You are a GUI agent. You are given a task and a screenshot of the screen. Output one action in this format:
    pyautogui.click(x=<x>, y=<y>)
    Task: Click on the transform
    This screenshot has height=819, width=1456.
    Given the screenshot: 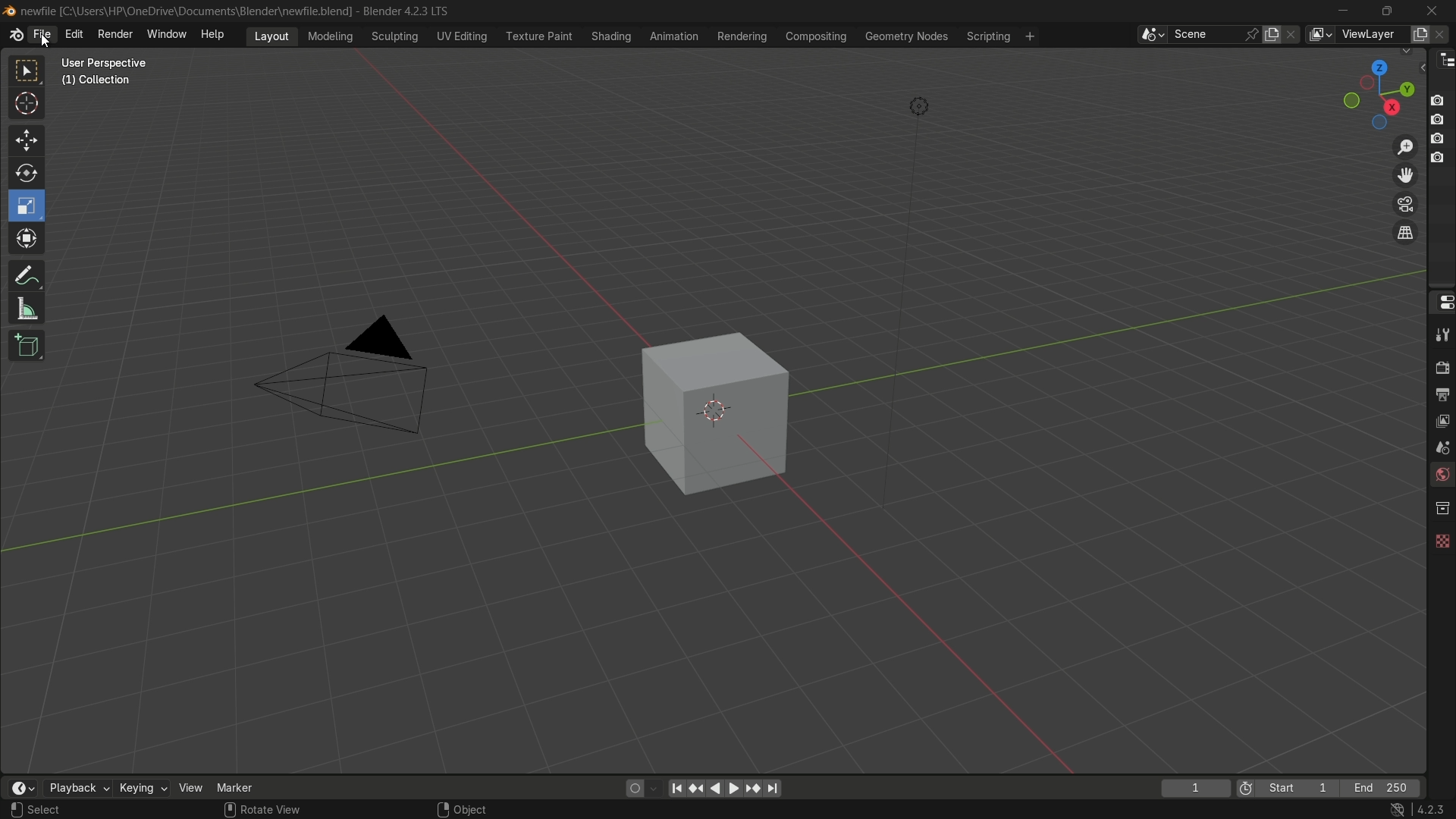 What is the action you would take?
    pyautogui.click(x=28, y=240)
    